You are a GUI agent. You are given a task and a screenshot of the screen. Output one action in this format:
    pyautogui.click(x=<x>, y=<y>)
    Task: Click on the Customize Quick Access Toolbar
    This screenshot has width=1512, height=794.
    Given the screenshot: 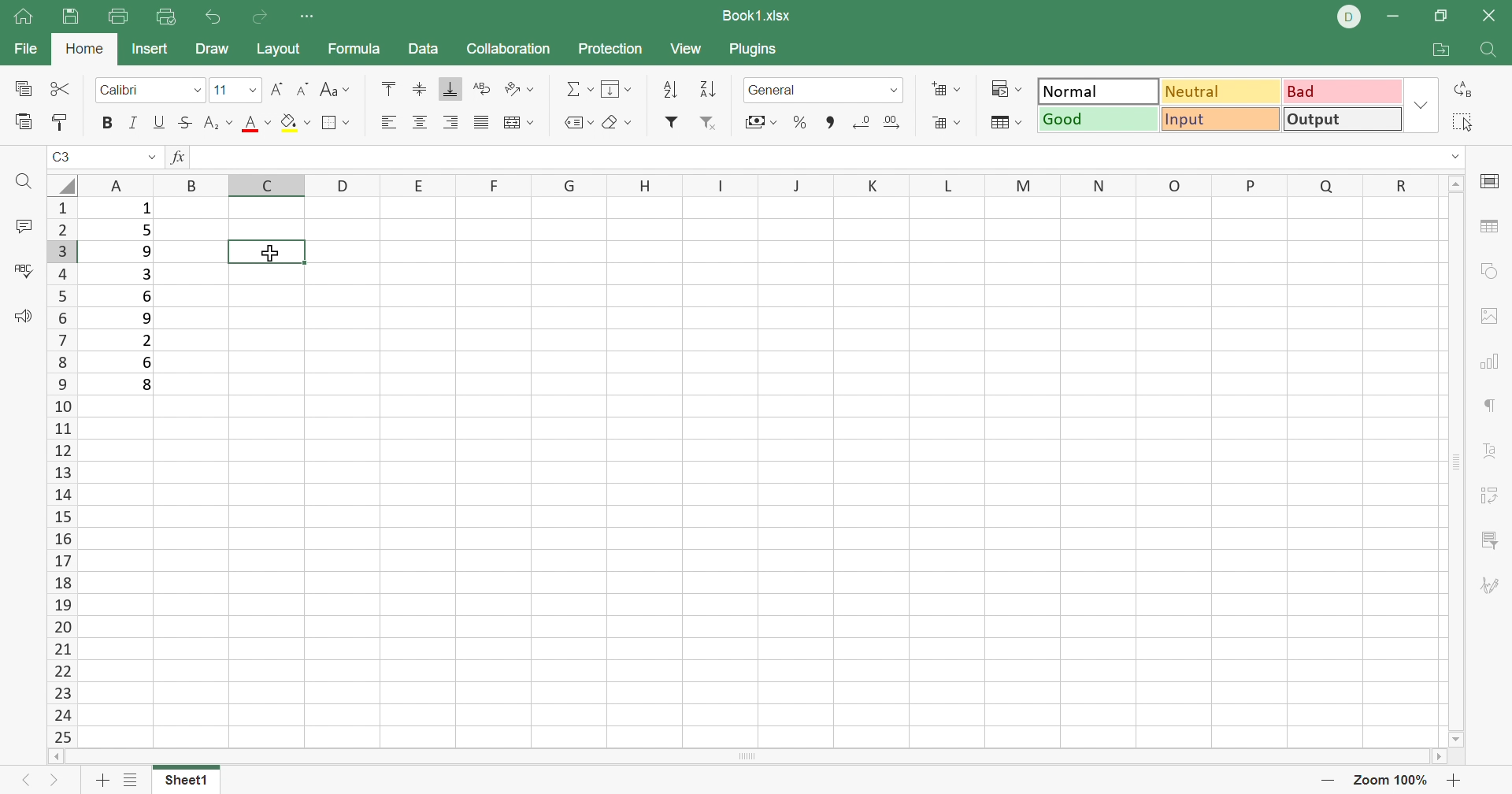 What is the action you would take?
    pyautogui.click(x=311, y=18)
    